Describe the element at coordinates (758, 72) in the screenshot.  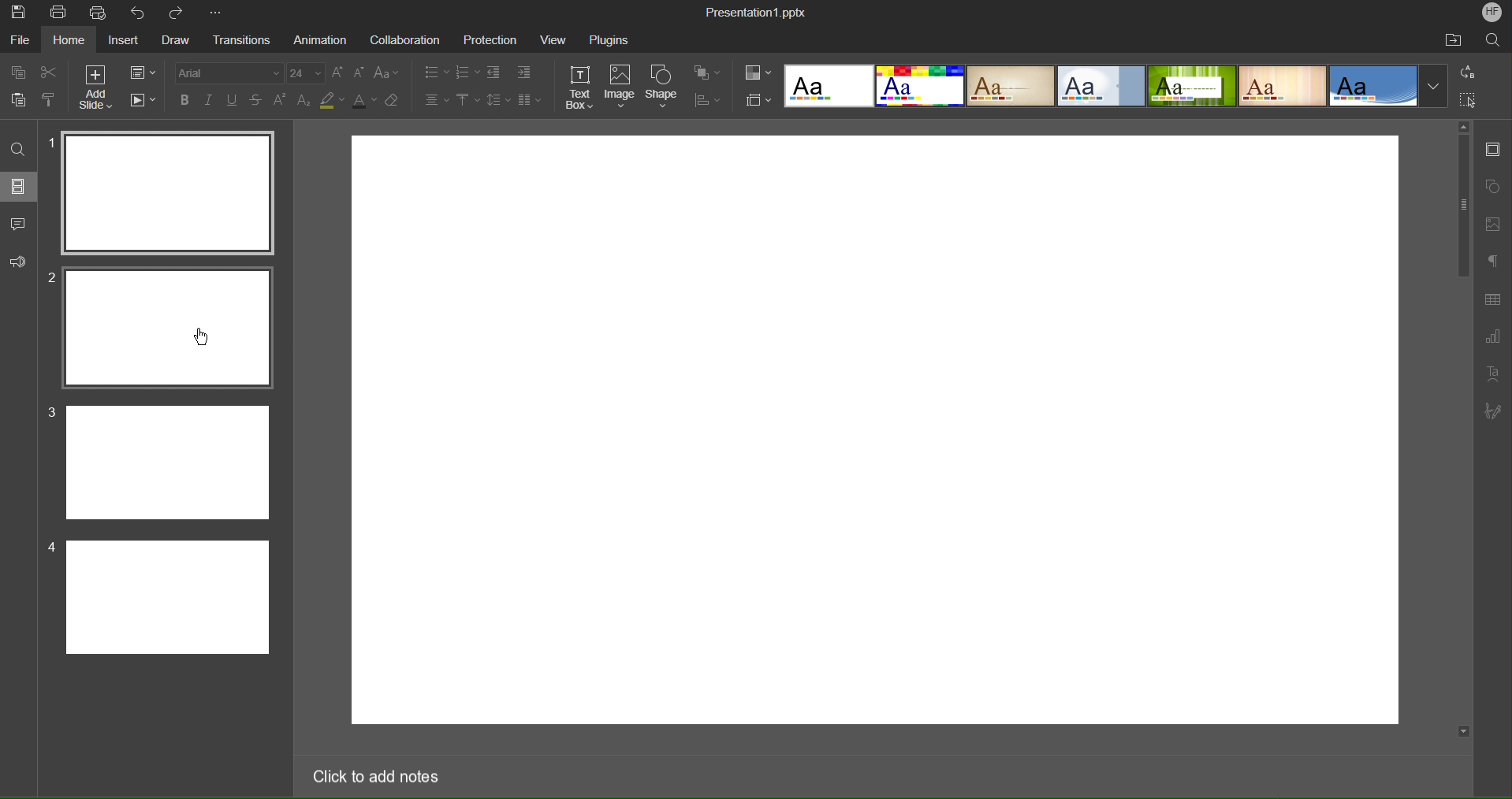
I see `Color` at that location.